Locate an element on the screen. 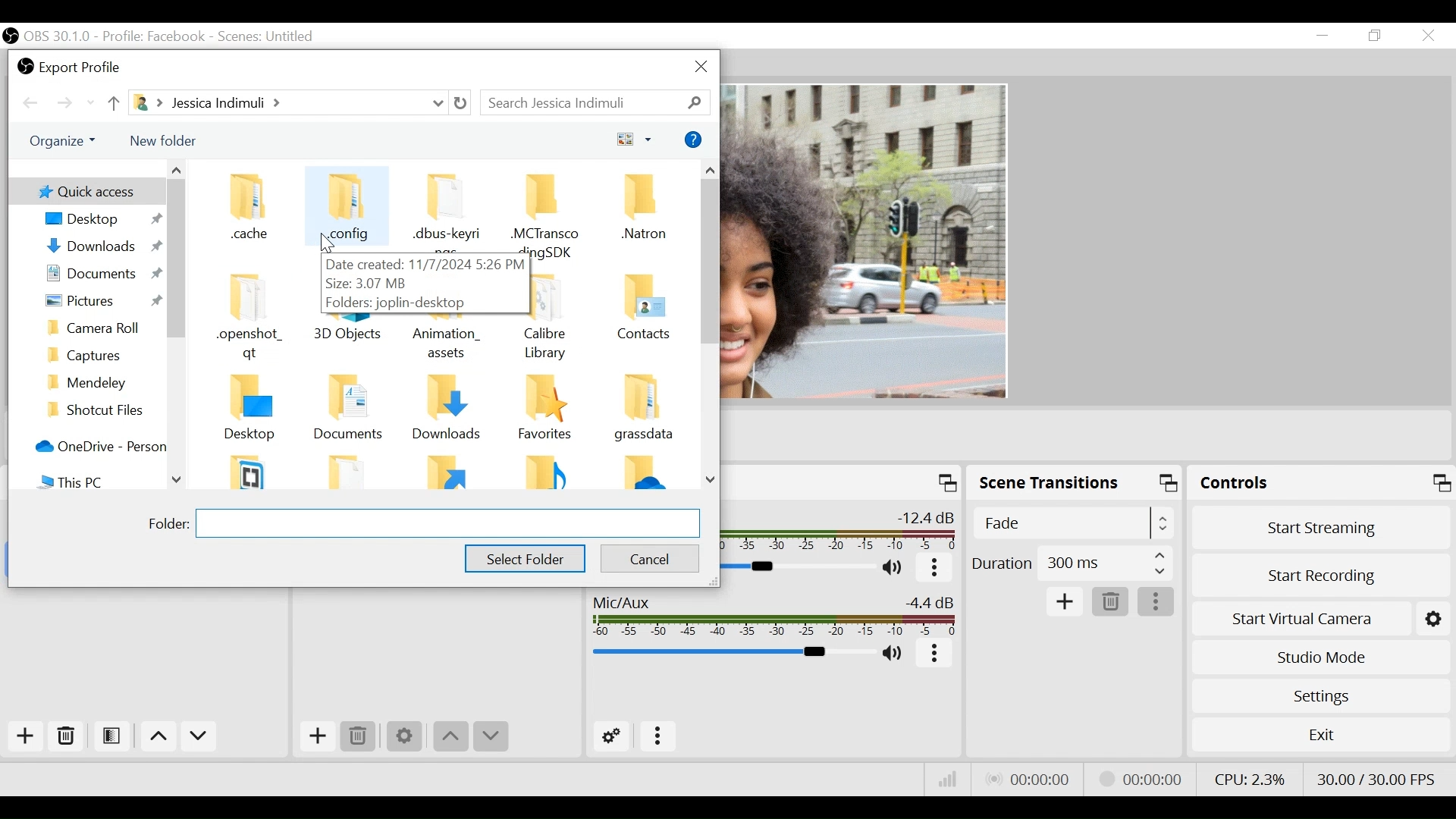 The height and width of the screenshot is (819, 1456). File Path is located at coordinates (288, 104).